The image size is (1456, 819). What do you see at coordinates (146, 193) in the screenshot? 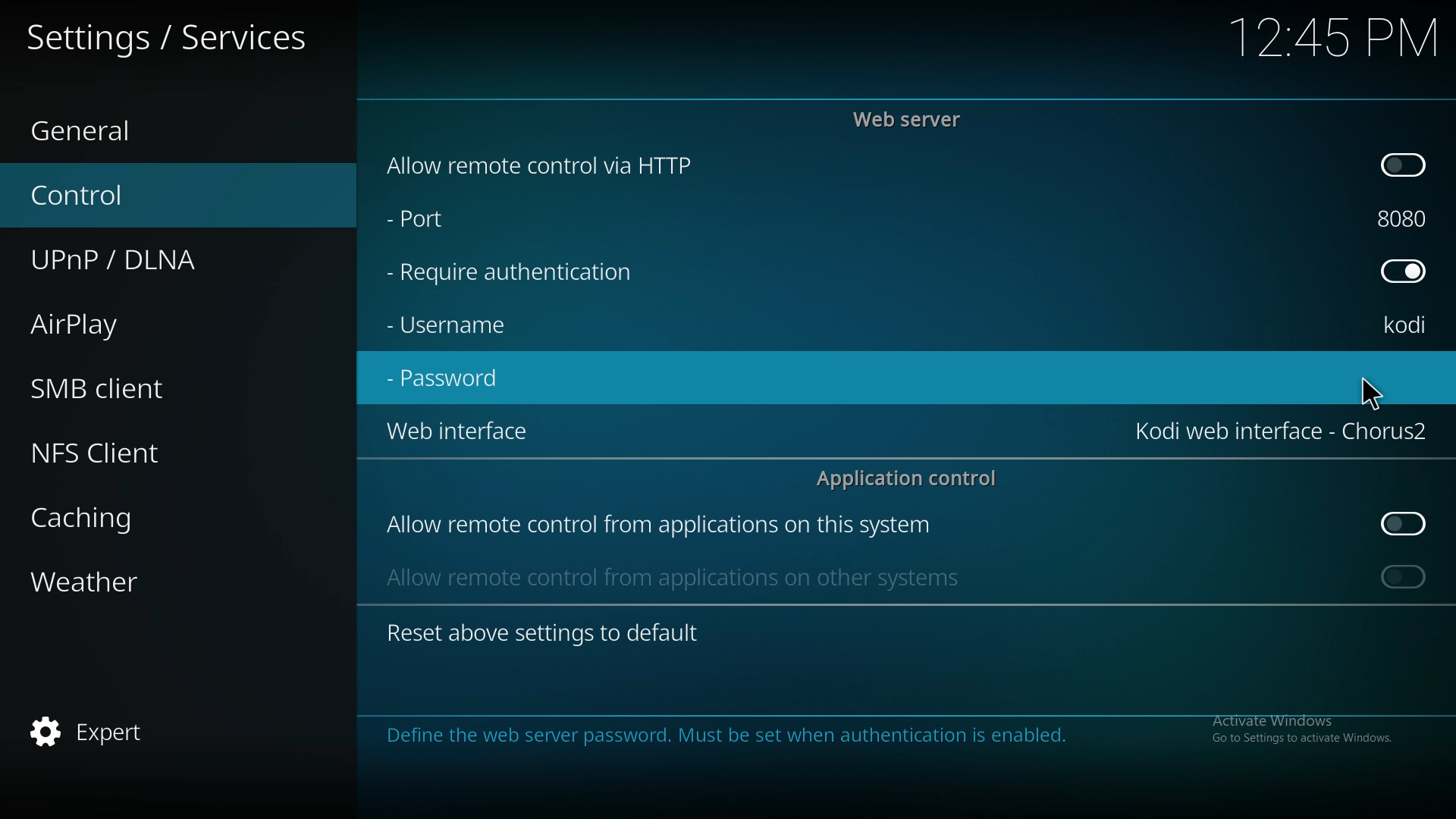
I see `control` at bounding box center [146, 193].